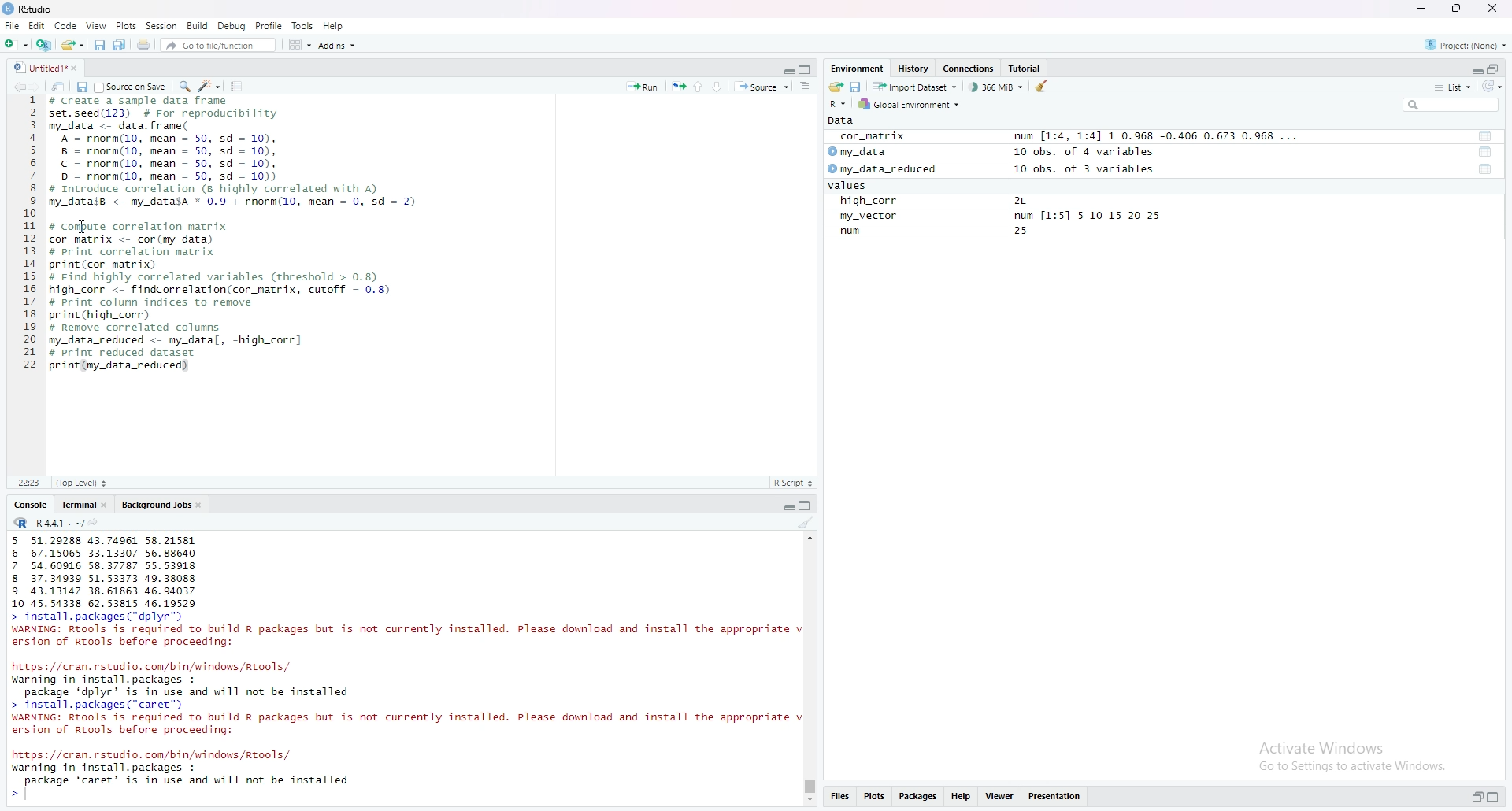  Describe the element at coordinates (127, 25) in the screenshot. I see `Plots` at that location.